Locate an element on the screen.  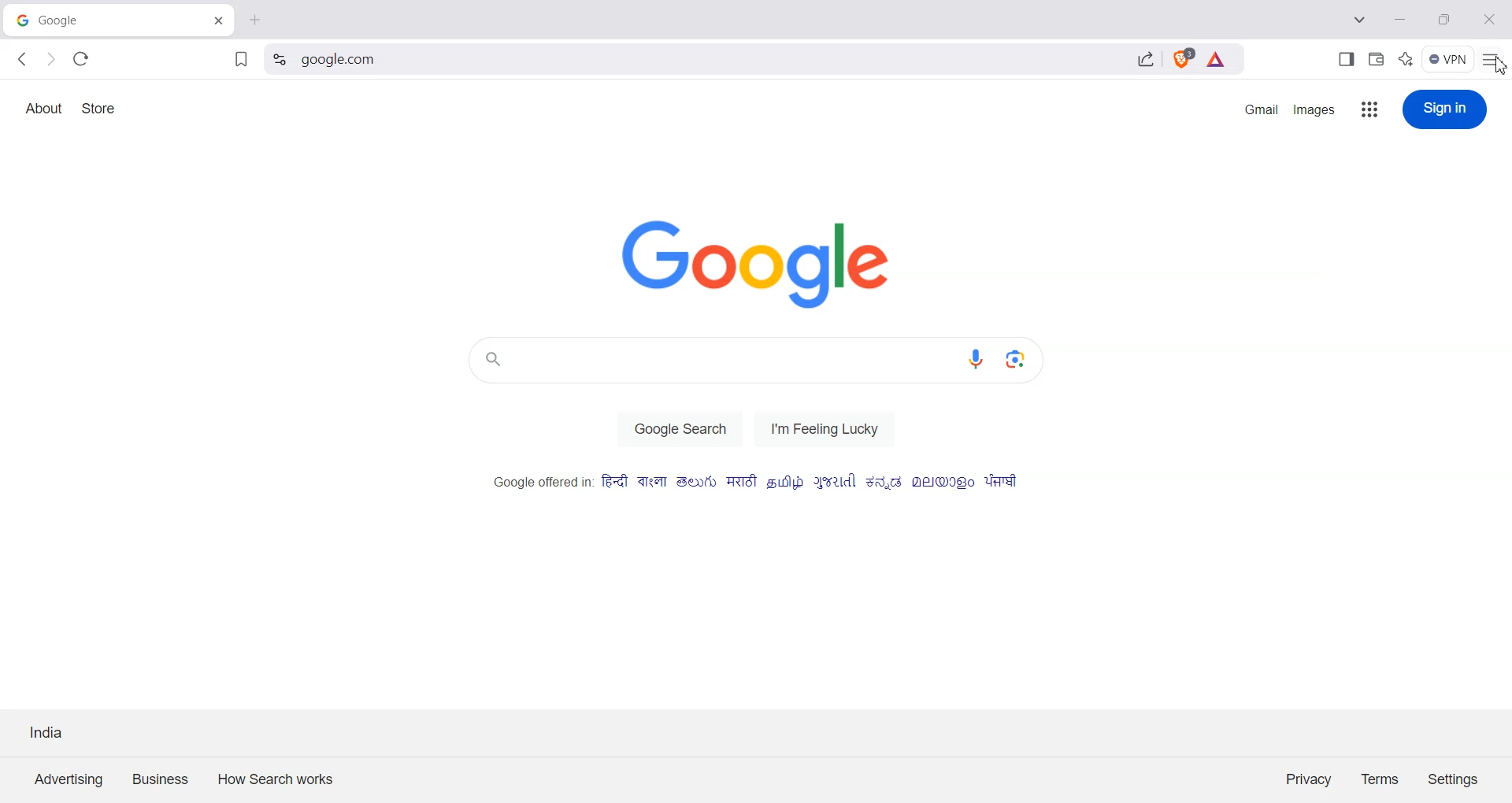
Audio is located at coordinates (980, 360).